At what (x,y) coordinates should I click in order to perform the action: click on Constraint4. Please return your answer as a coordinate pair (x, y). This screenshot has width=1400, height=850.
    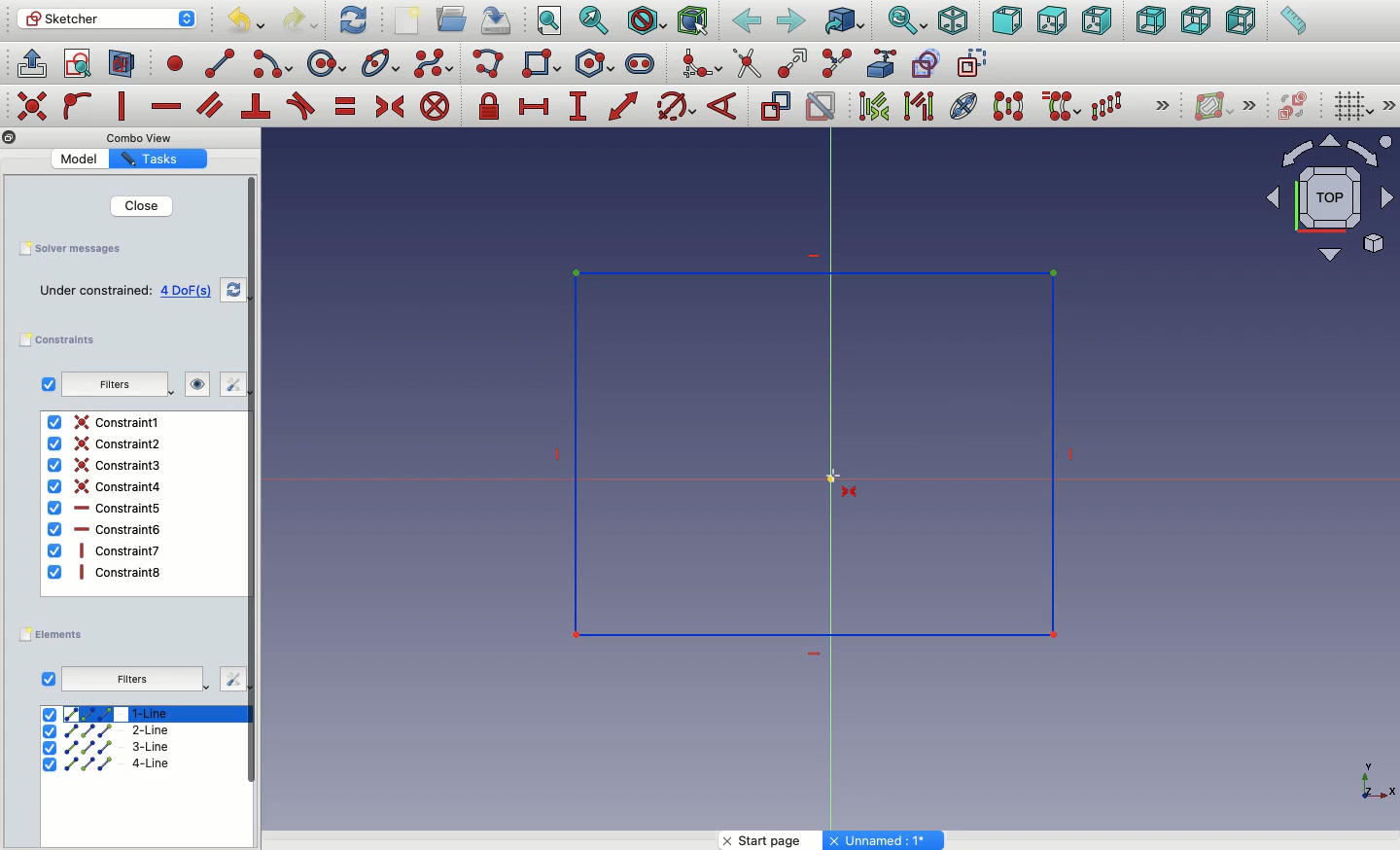
    Looking at the image, I should click on (106, 486).